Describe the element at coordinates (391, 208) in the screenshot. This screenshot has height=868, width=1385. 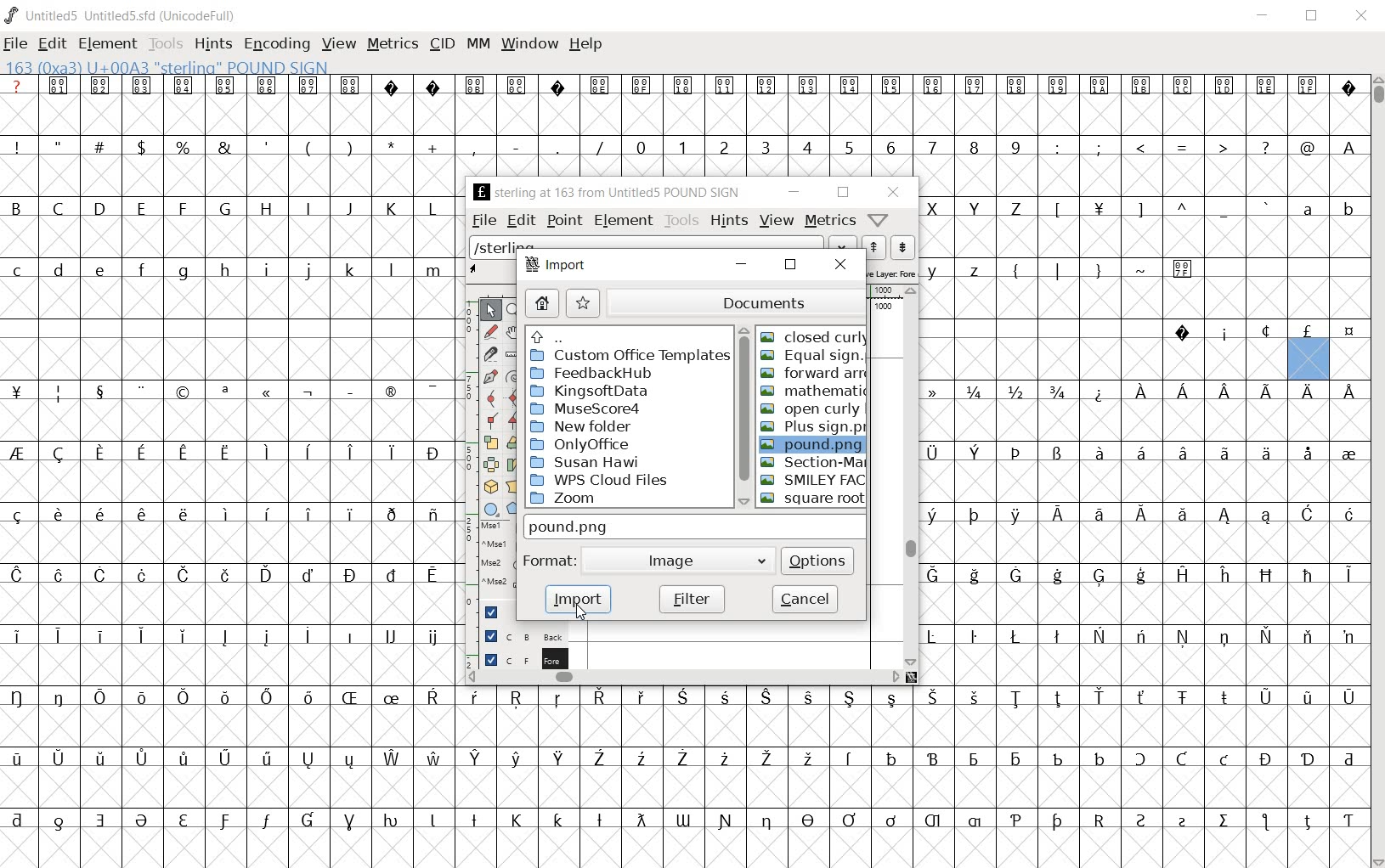
I see `K` at that location.